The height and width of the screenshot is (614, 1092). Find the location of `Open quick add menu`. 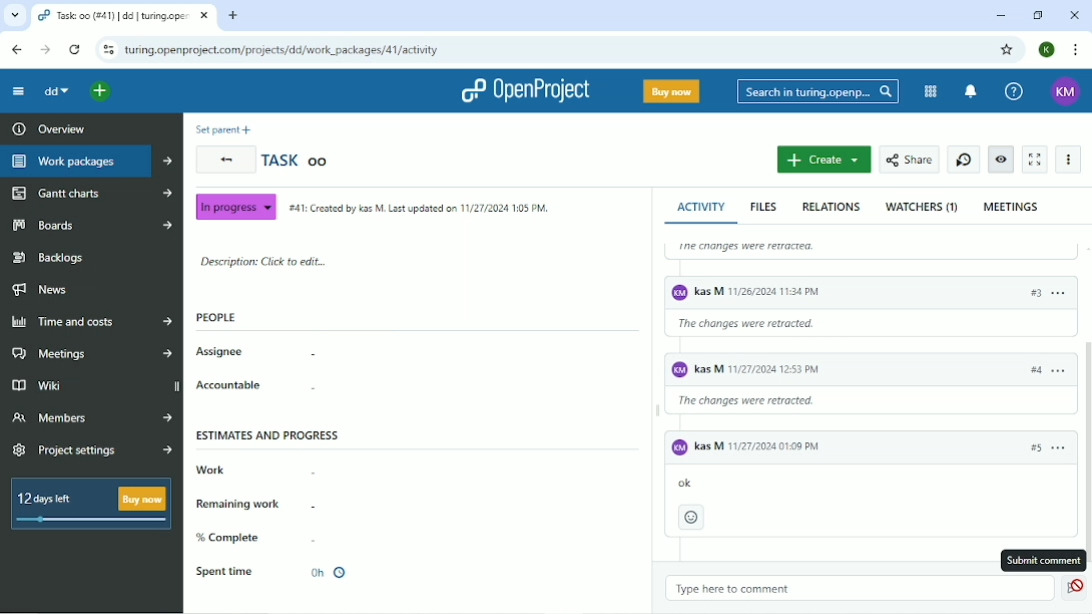

Open quick add menu is located at coordinates (102, 92).